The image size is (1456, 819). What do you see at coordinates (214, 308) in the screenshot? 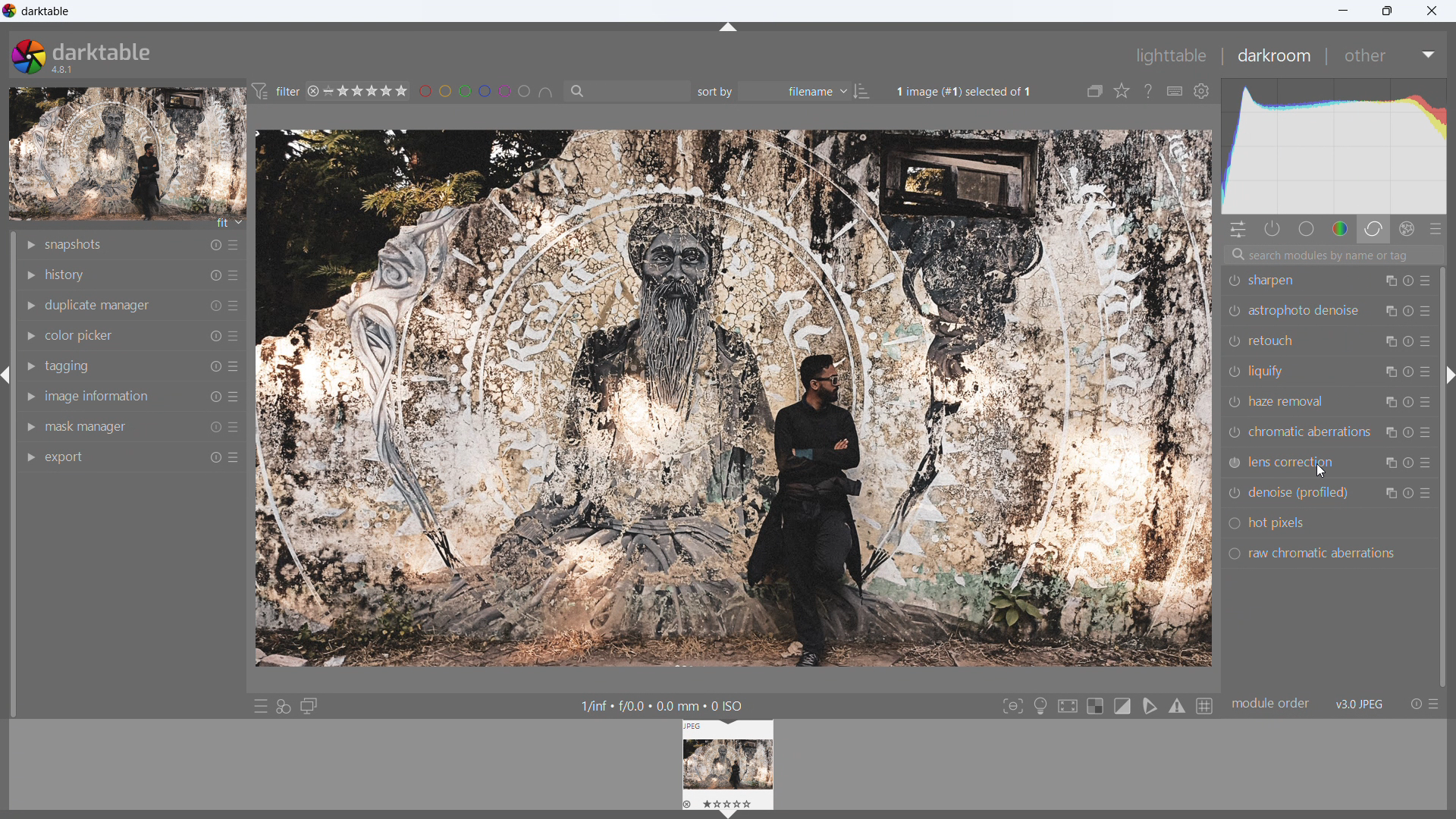
I see `reset` at bounding box center [214, 308].